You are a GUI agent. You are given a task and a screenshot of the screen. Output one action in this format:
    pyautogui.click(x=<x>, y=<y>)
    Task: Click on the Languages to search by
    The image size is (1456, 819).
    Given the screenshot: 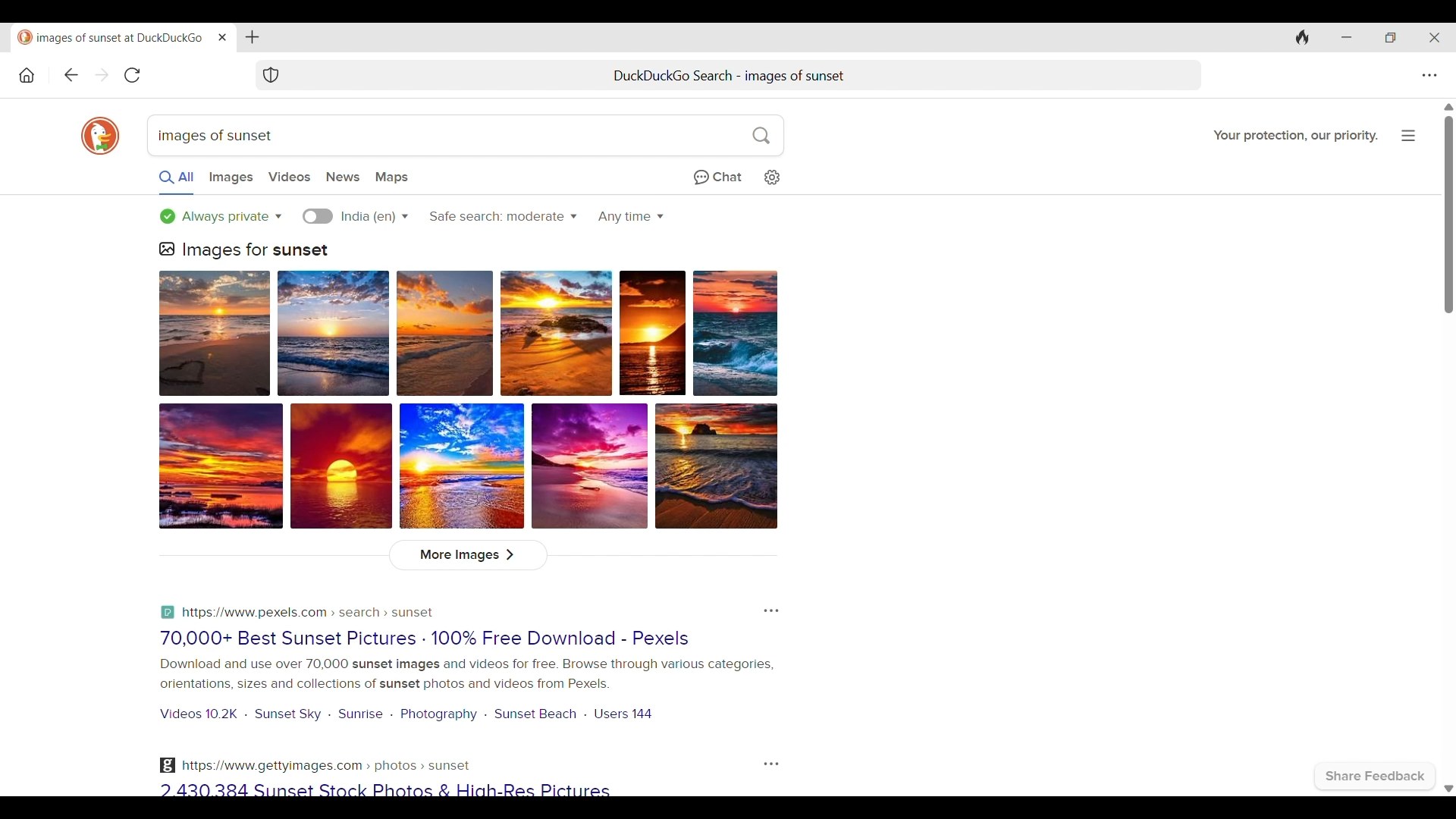 What is the action you would take?
    pyautogui.click(x=374, y=216)
    